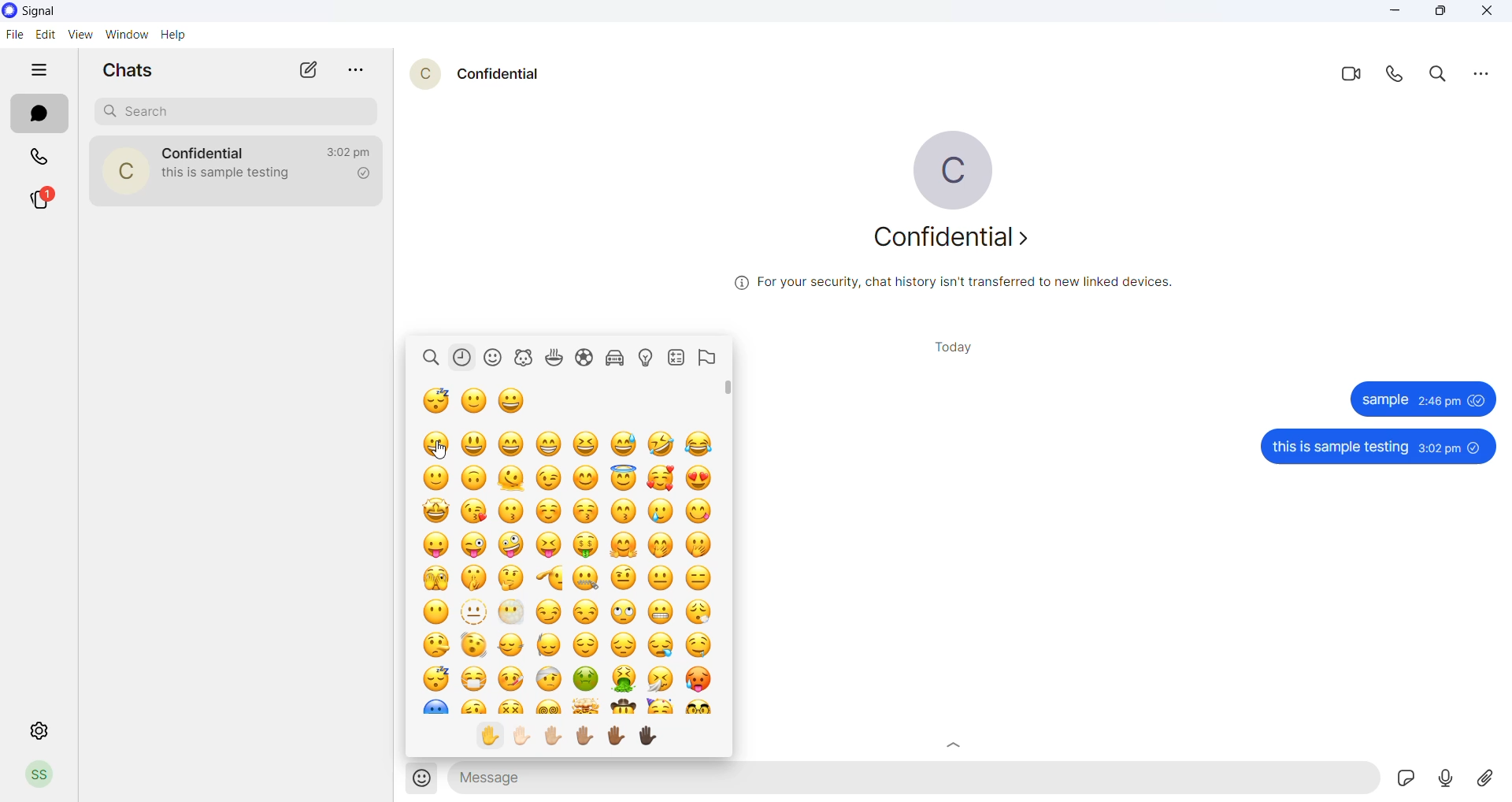 The height and width of the screenshot is (802, 1512). I want to click on contact name, so click(502, 74).